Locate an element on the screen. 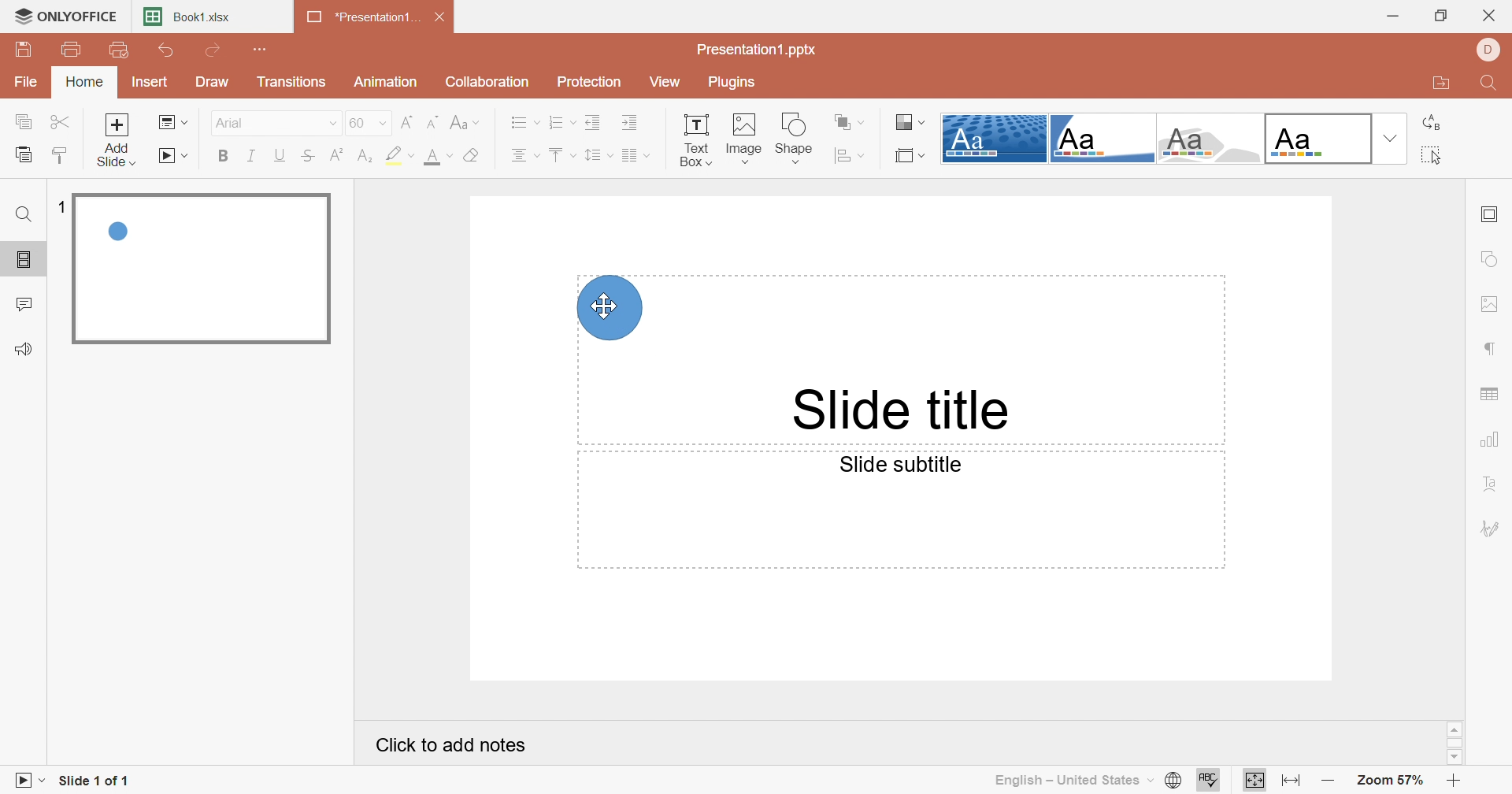 This screenshot has height=794, width=1512. Close is located at coordinates (1494, 12).